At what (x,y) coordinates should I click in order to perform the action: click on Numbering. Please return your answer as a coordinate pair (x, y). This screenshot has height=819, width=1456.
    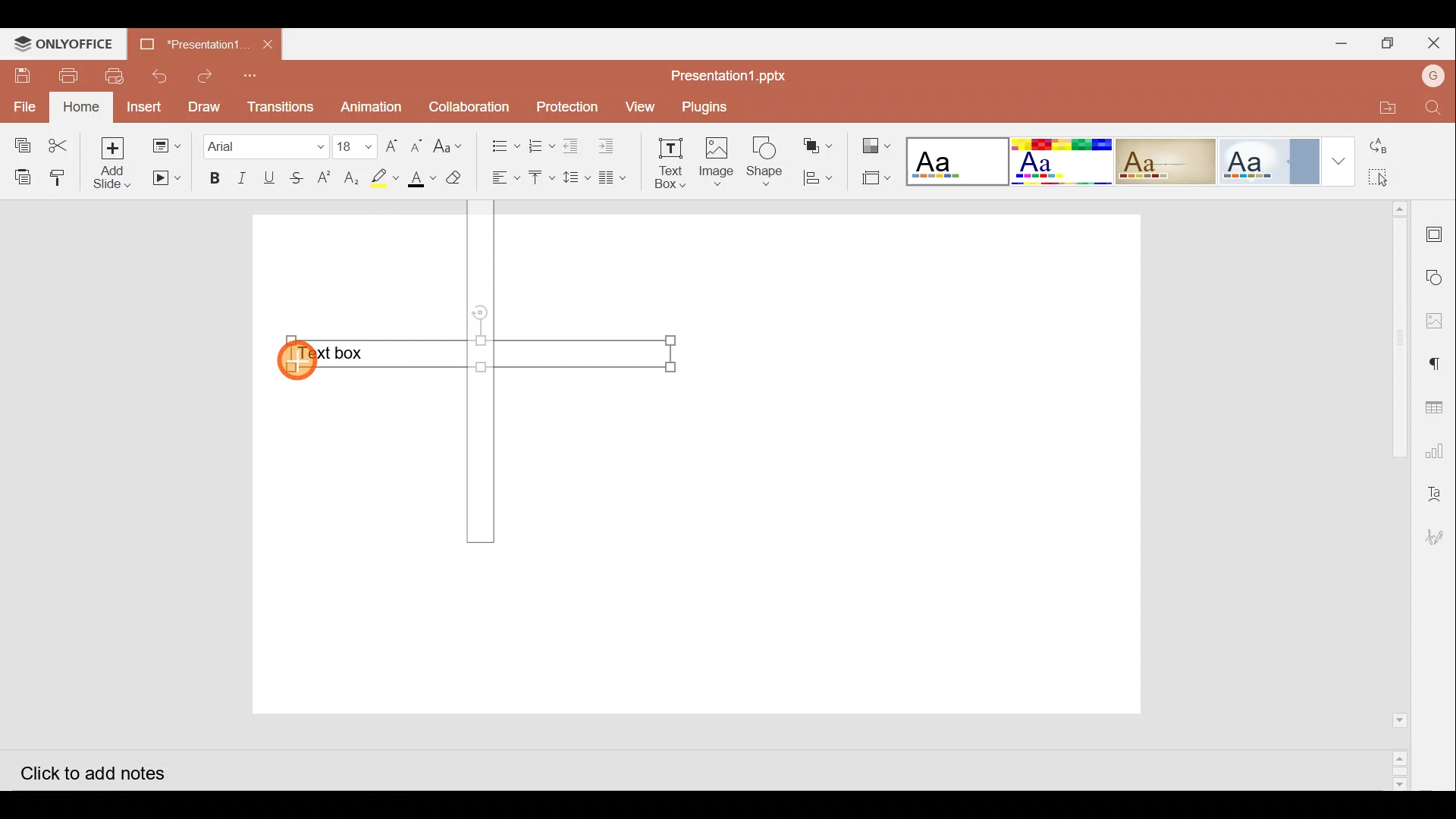
    Looking at the image, I should click on (541, 142).